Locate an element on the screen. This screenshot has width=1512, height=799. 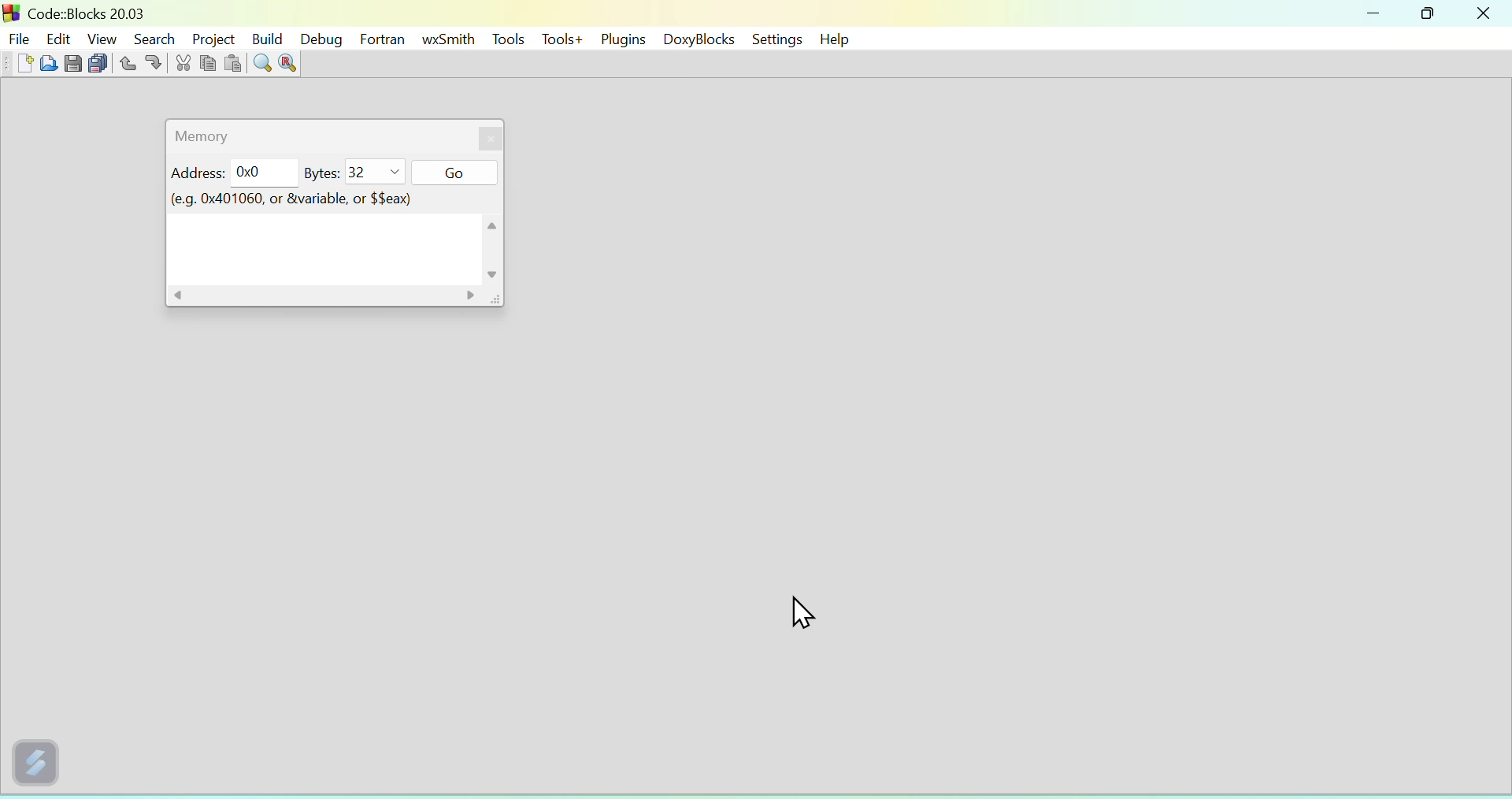
horizontal scroll bar is located at coordinates (335, 296).